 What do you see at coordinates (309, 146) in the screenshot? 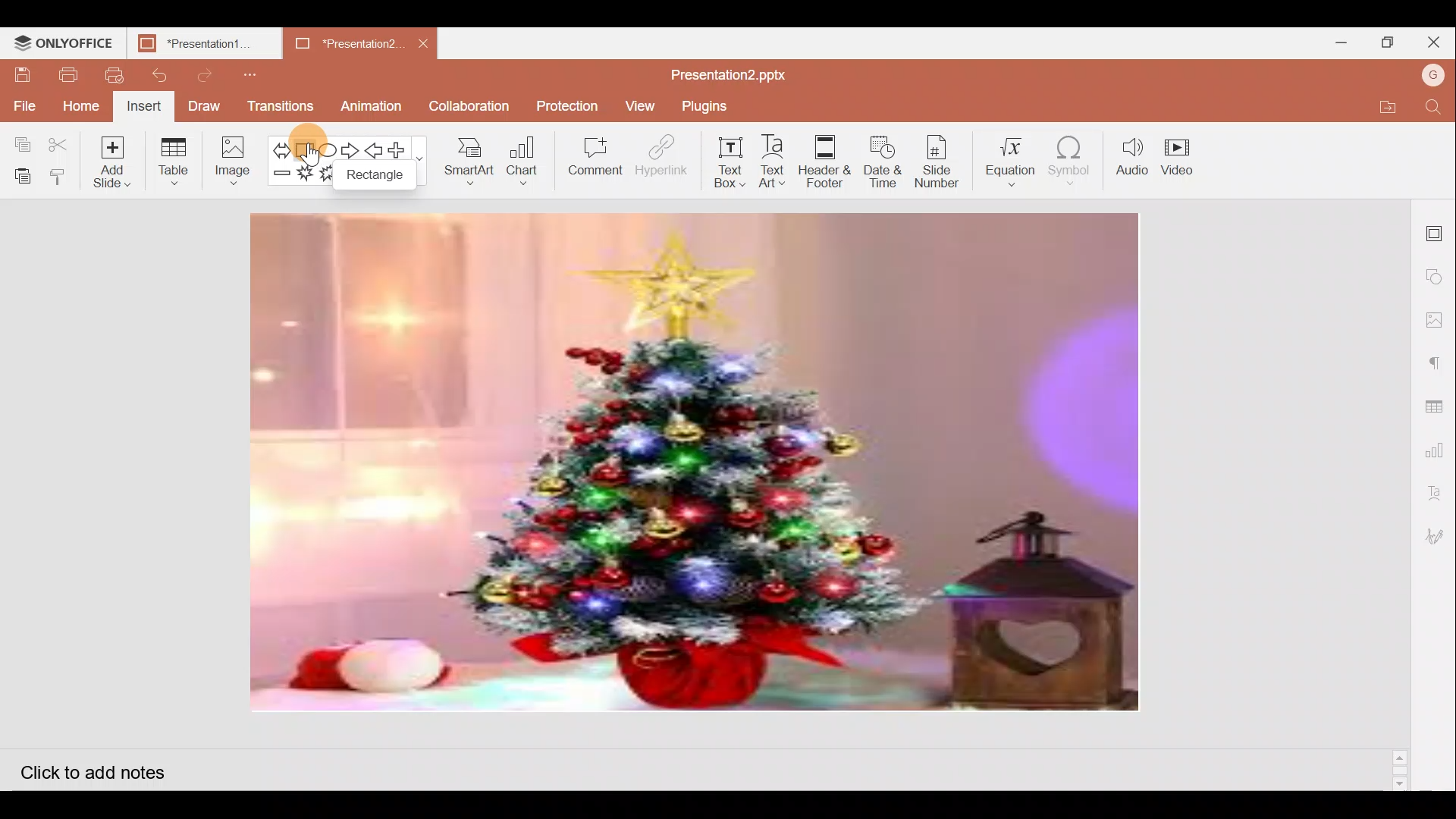
I see `Rectangle` at bounding box center [309, 146].